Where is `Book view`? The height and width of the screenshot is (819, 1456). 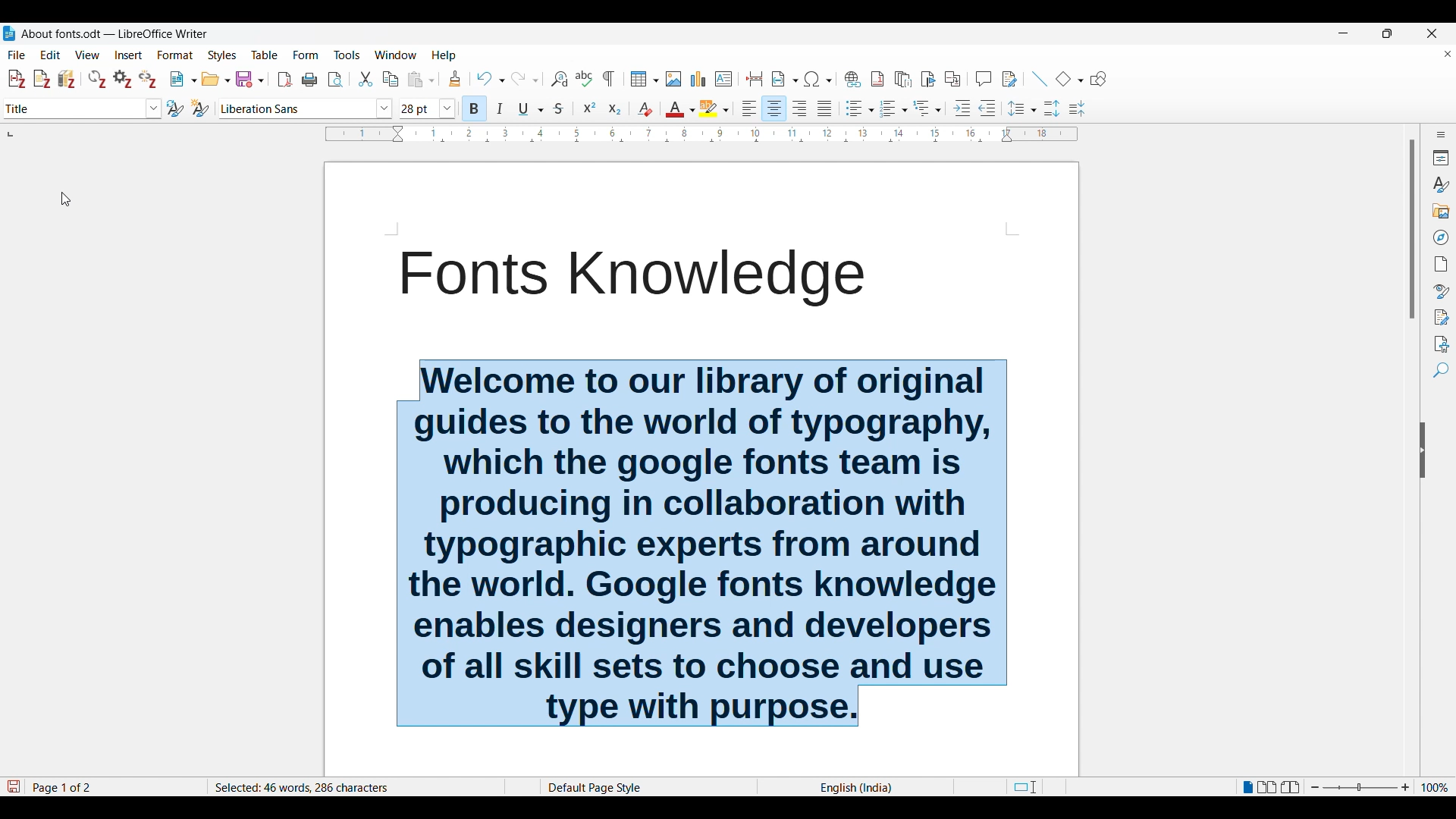
Book view is located at coordinates (1291, 787).